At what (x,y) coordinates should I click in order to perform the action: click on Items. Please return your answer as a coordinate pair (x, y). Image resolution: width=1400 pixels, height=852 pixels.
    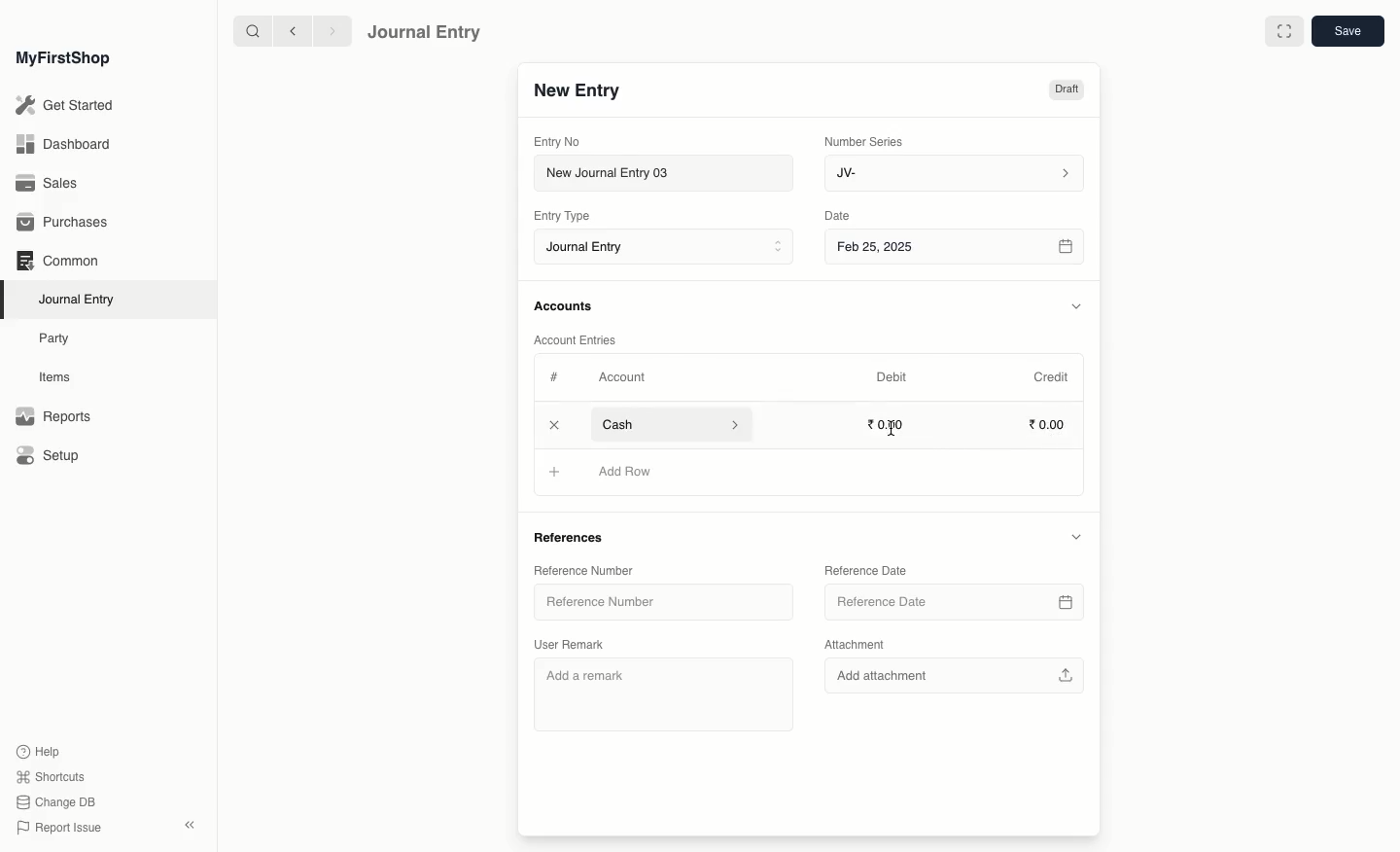
    Looking at the image, I should click on (60, 377).